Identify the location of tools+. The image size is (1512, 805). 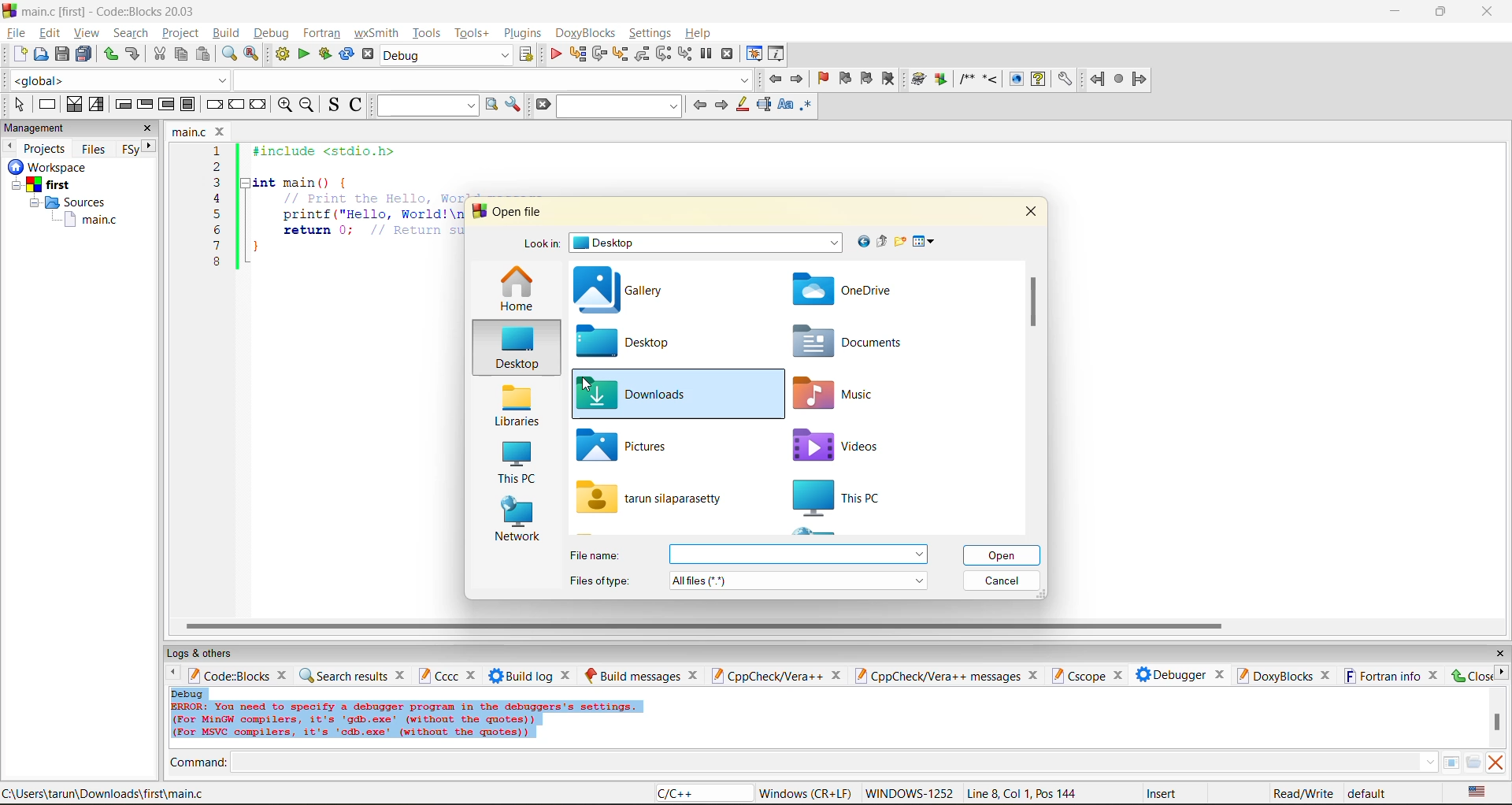
(472, 33).